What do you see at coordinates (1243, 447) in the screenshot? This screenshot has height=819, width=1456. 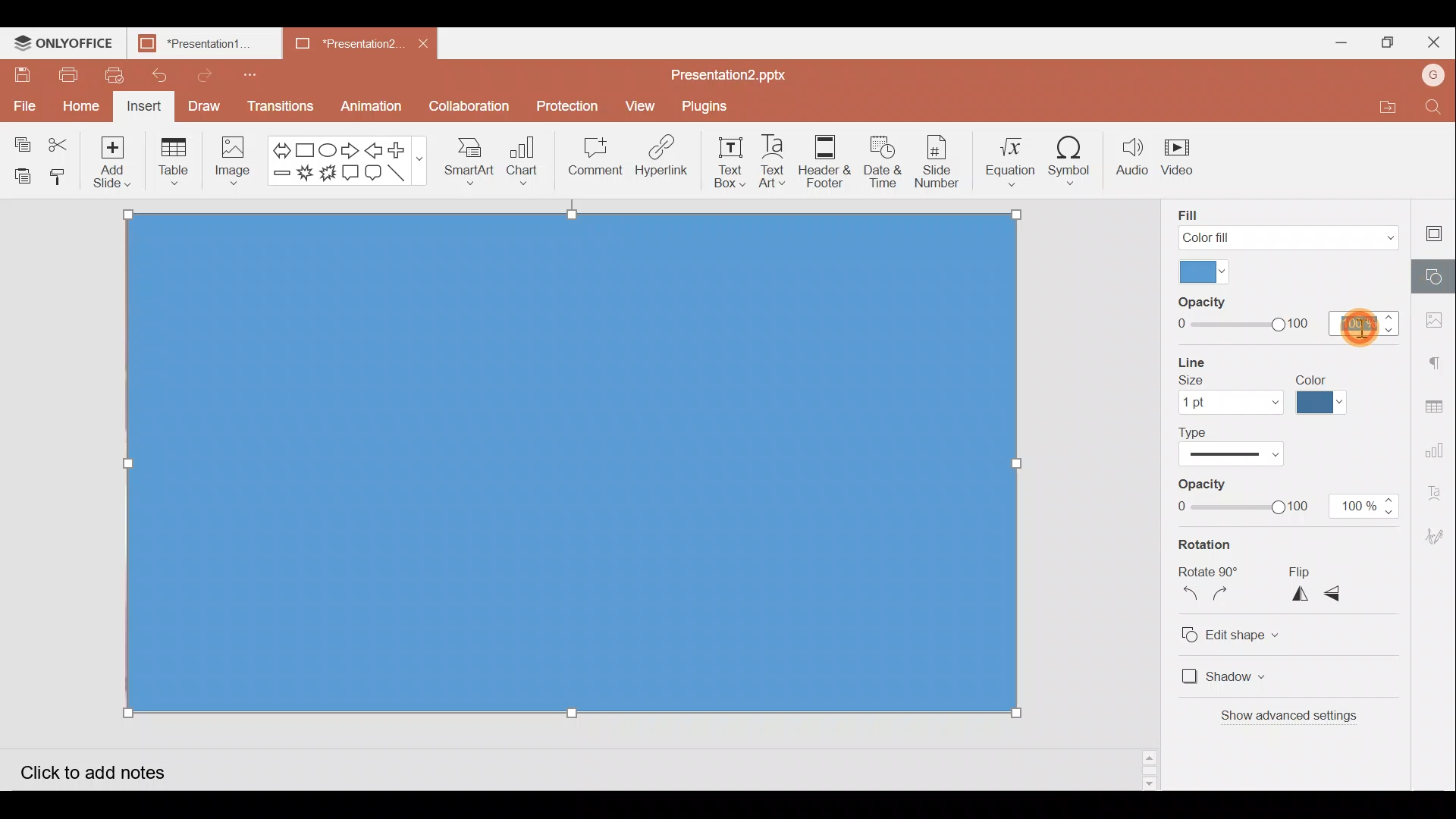 I see `Line type` at bounding box center [1243, 447].